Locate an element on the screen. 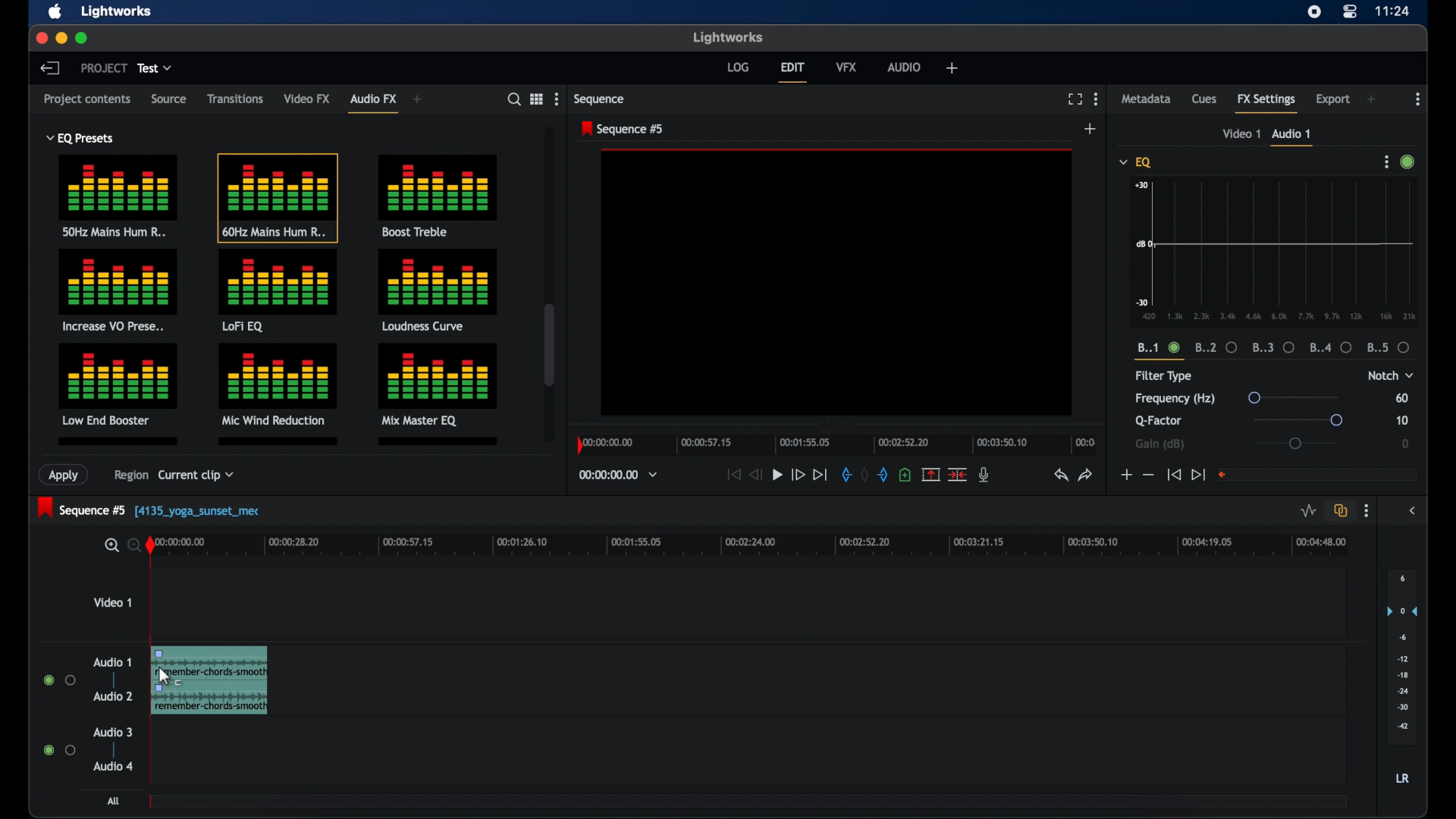 The width and height of the screenshot is (1456, 819). increase presets is located at coordinates (119, 291).